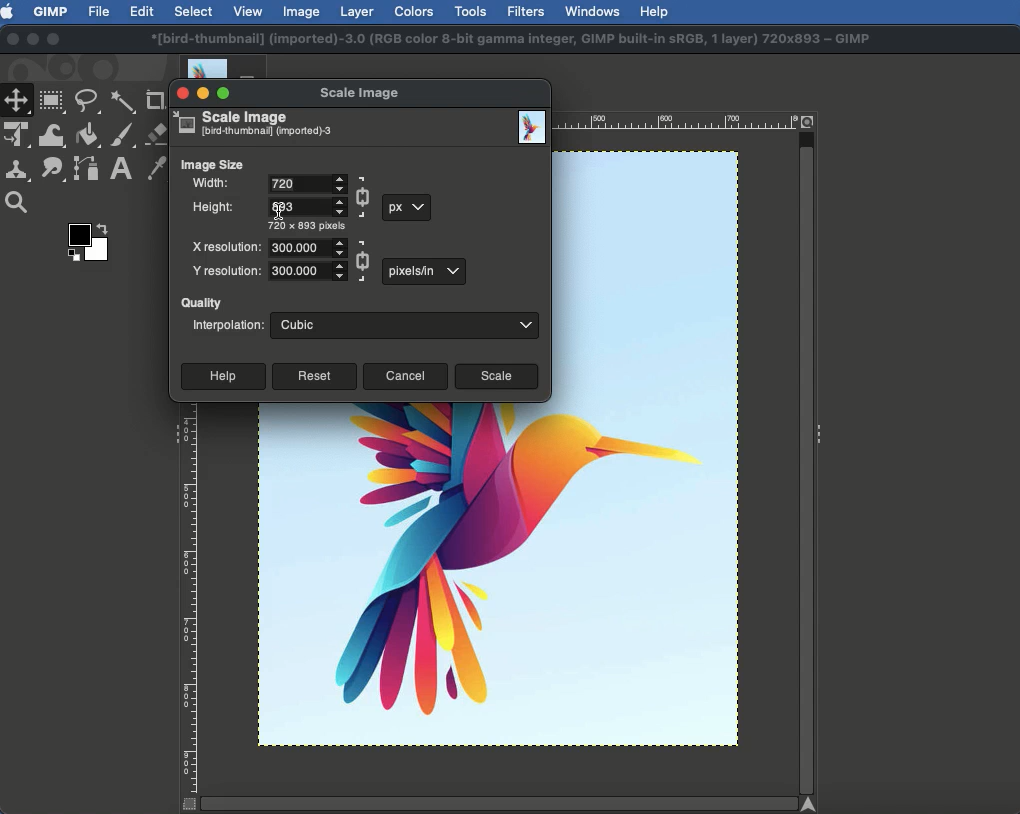 Image resolution: width=1020 pixels, height=814 pixels. Describe the element at coordinates (819, 437) in the screenshot. I see `Collapse` at that location.